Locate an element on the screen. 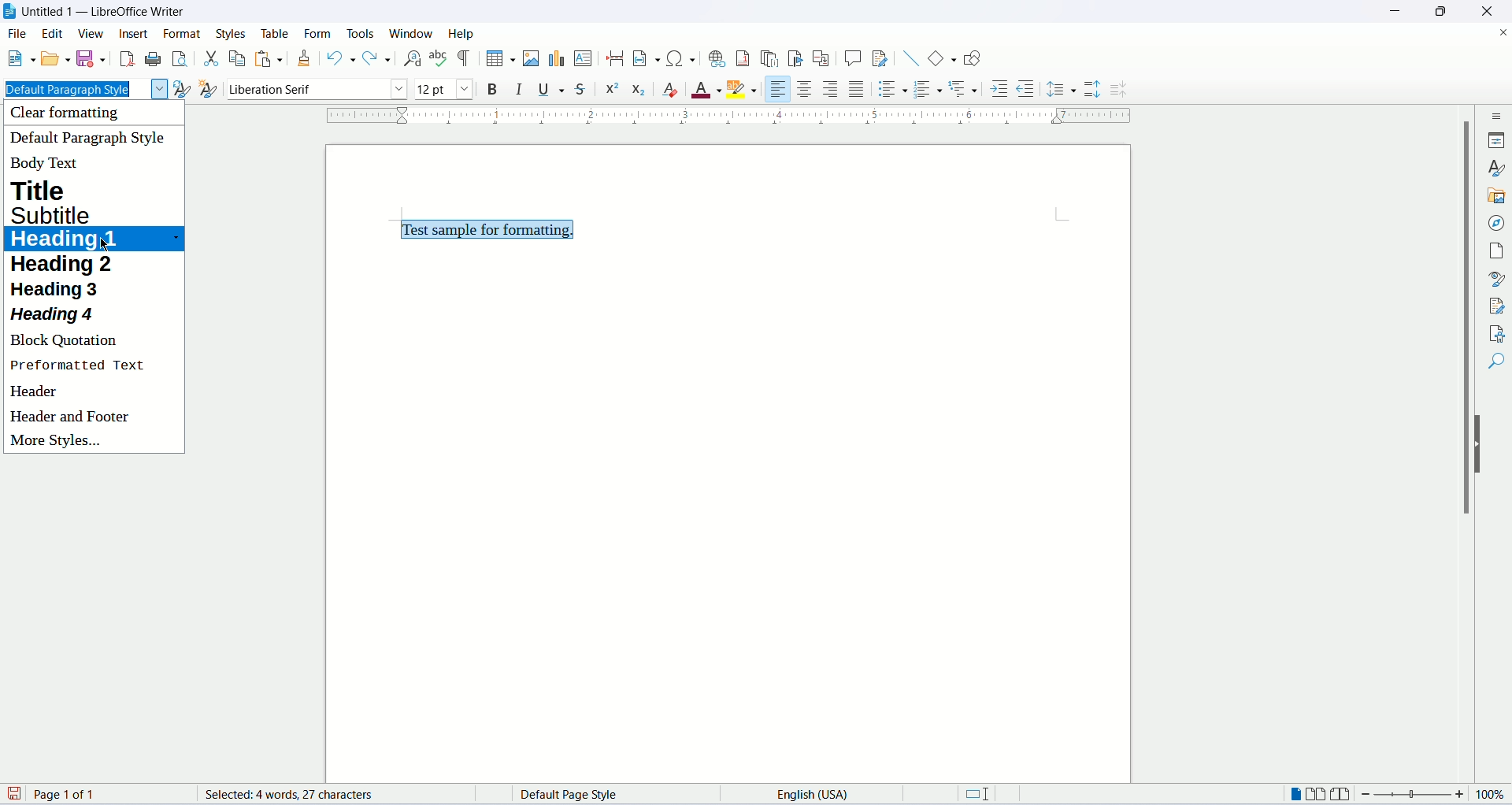 The height and width of the screenshot is (805, 1512). undo is located at coordinates (339, 58).